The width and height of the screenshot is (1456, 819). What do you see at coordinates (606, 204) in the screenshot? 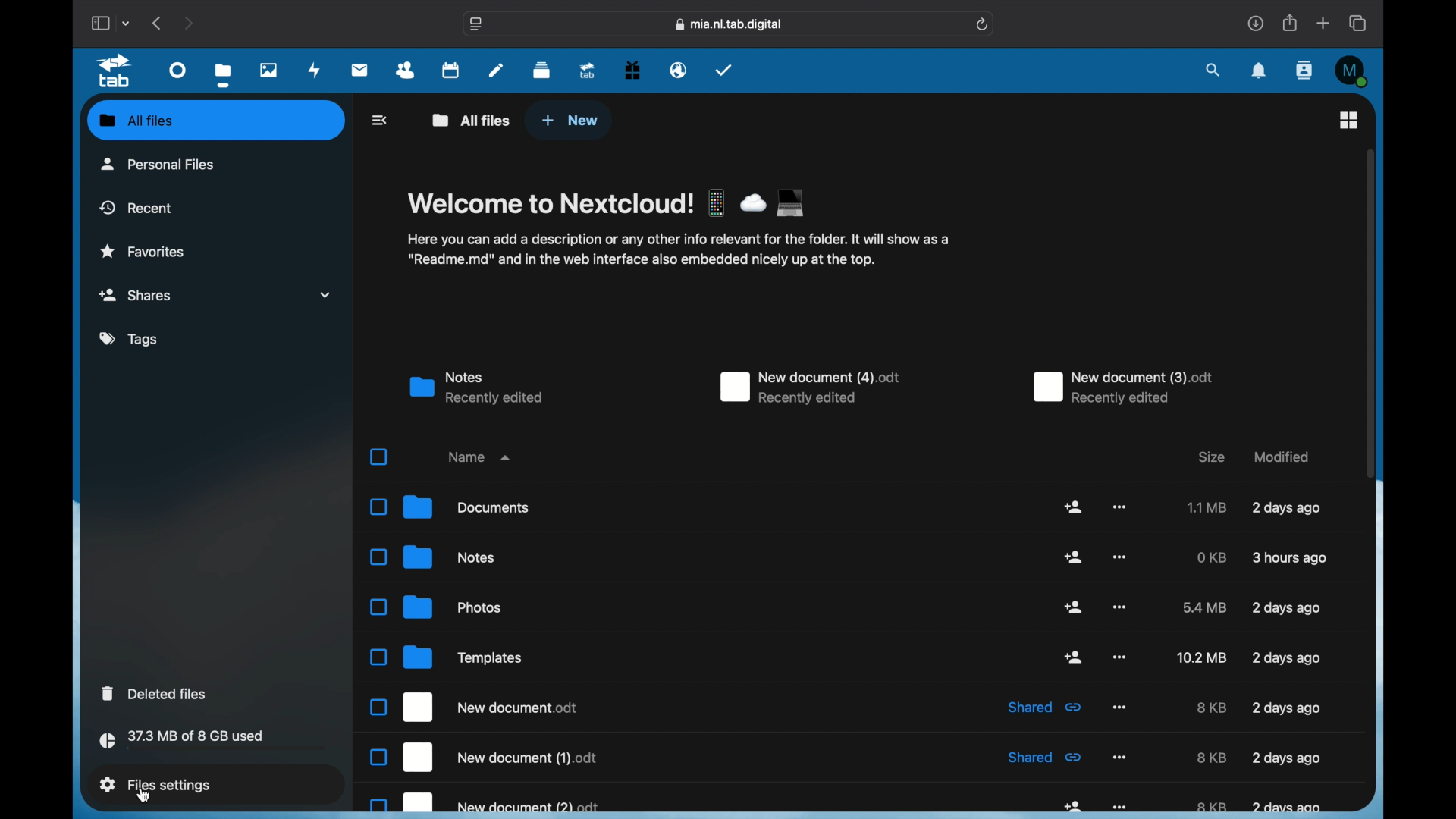
I see `welcome to nextcloud` at bounding box center [606, 204].